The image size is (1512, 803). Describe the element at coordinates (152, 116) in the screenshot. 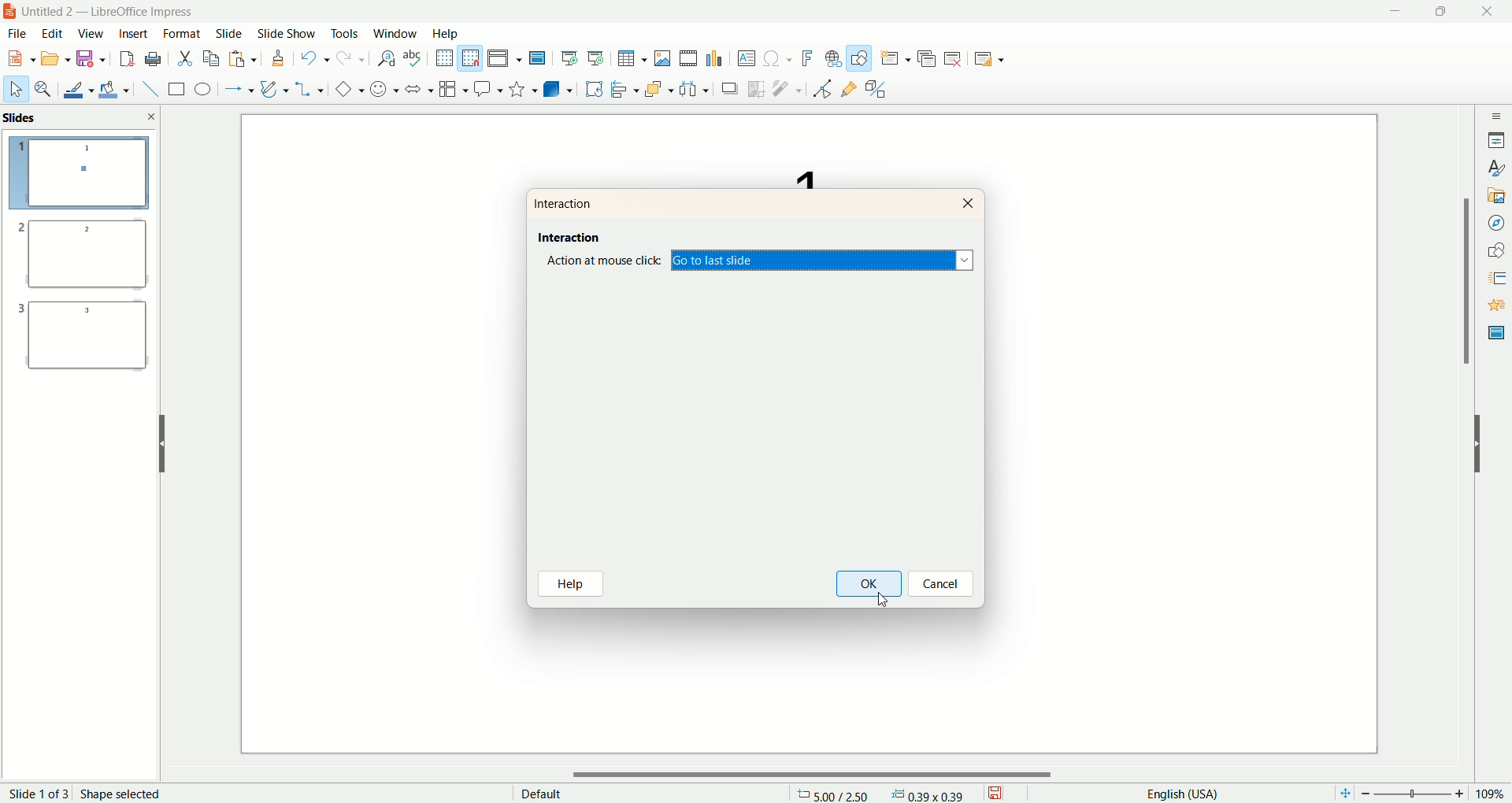

I see `close` at that location.